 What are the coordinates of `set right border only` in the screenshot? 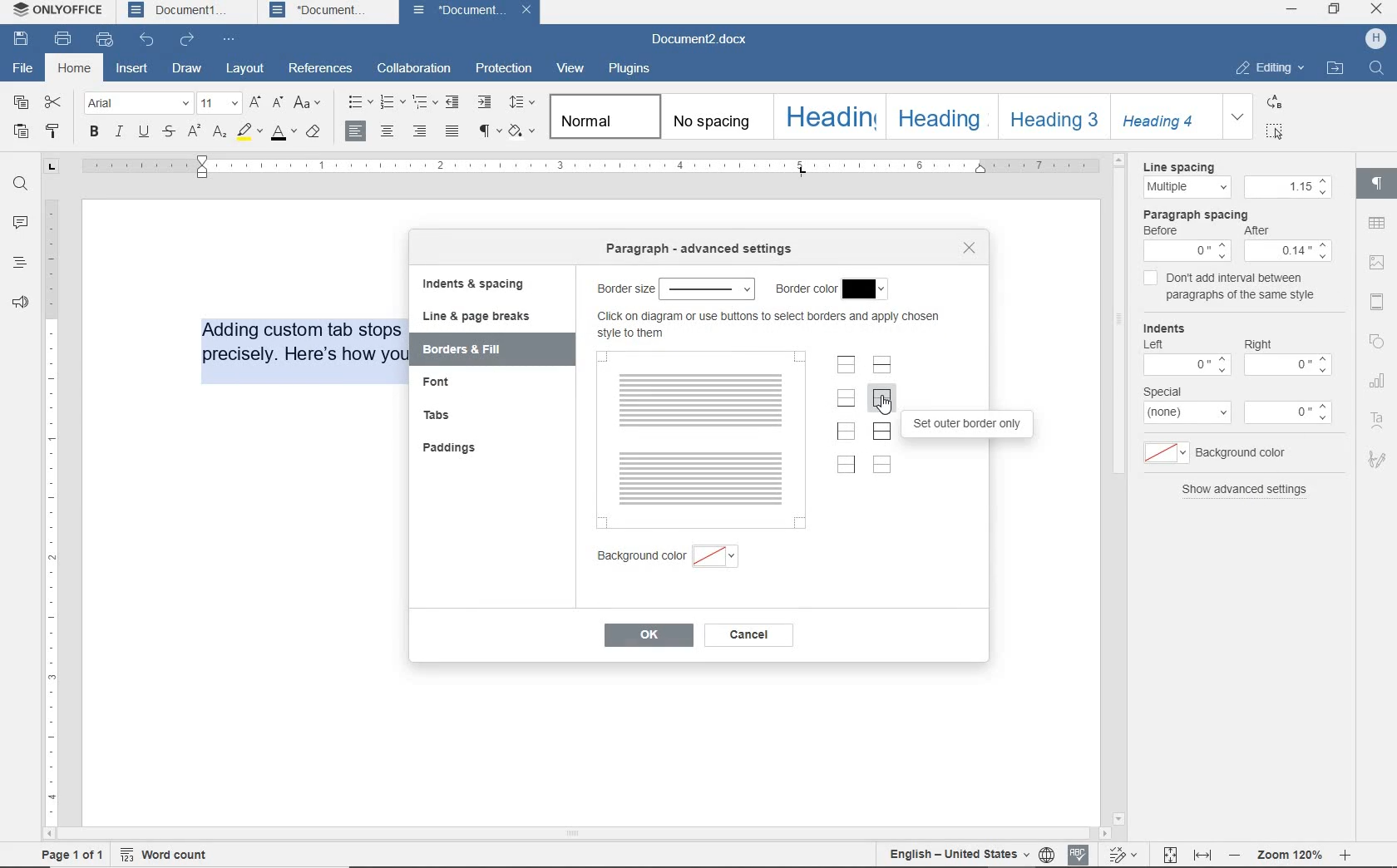 It's located at (846, 464).